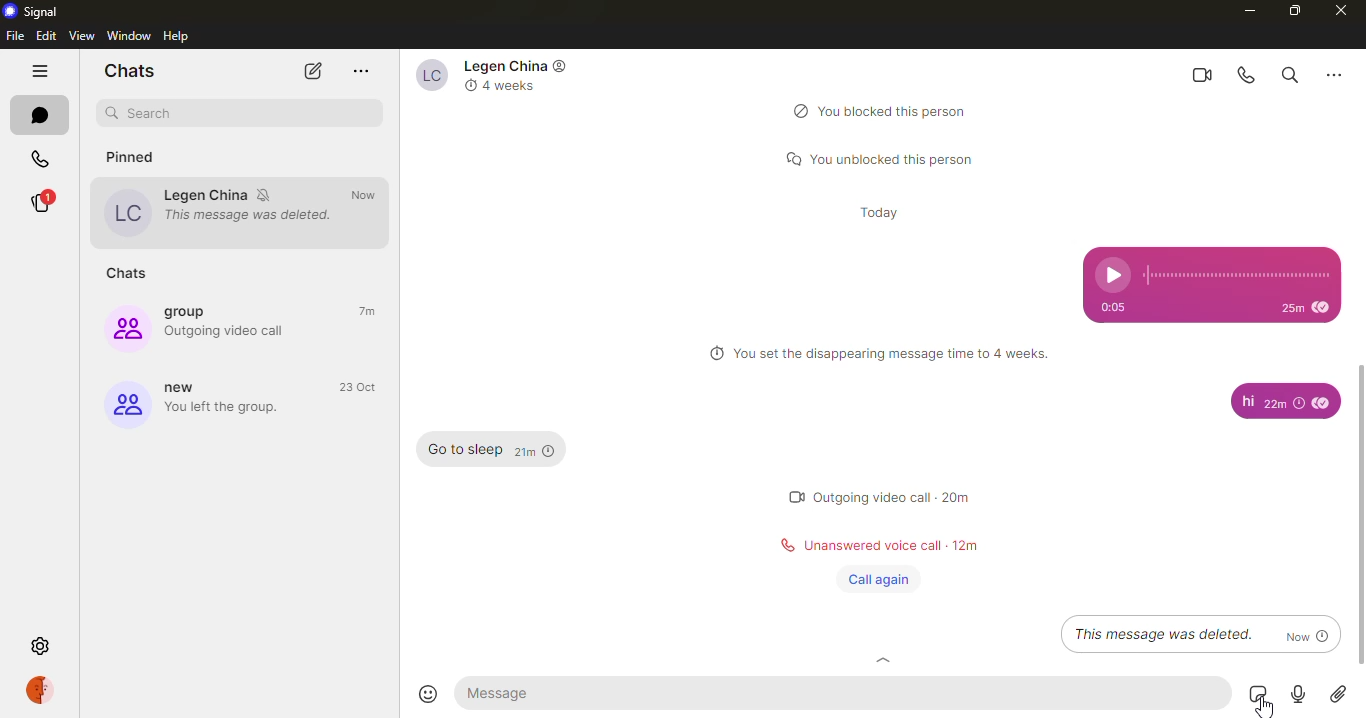 This screenshot has height=718, width=1366. I want to click on emoji, so click(427, 694).